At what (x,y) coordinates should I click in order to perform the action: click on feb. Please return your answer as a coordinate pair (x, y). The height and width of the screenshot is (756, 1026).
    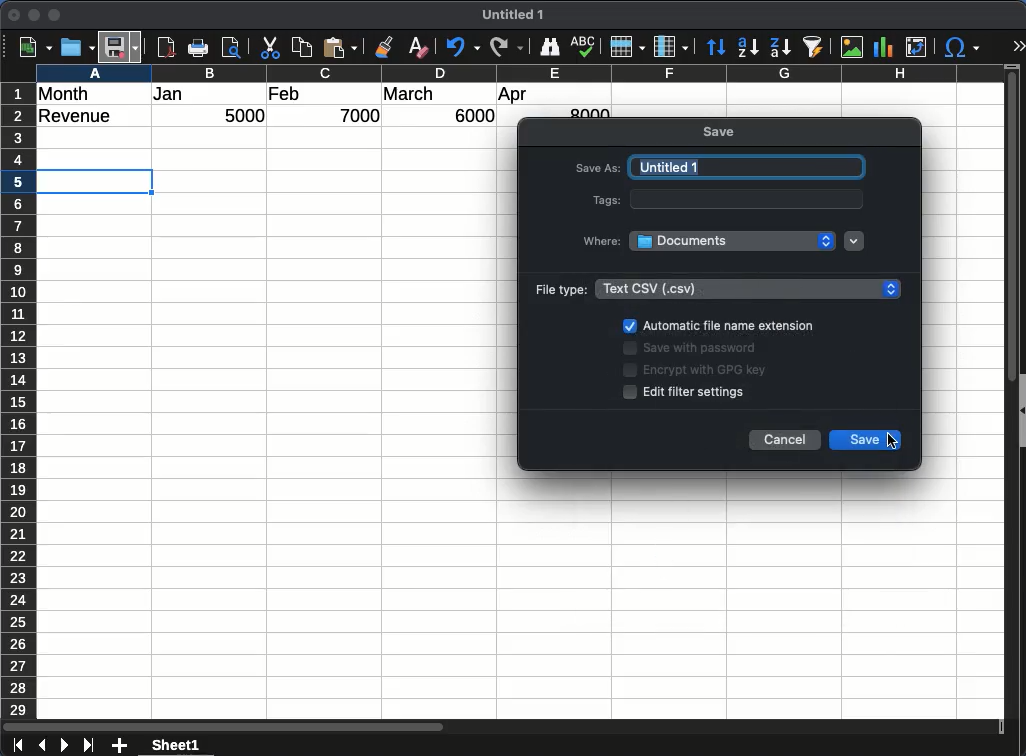
    Looking at the image, I should click on (284, 93).